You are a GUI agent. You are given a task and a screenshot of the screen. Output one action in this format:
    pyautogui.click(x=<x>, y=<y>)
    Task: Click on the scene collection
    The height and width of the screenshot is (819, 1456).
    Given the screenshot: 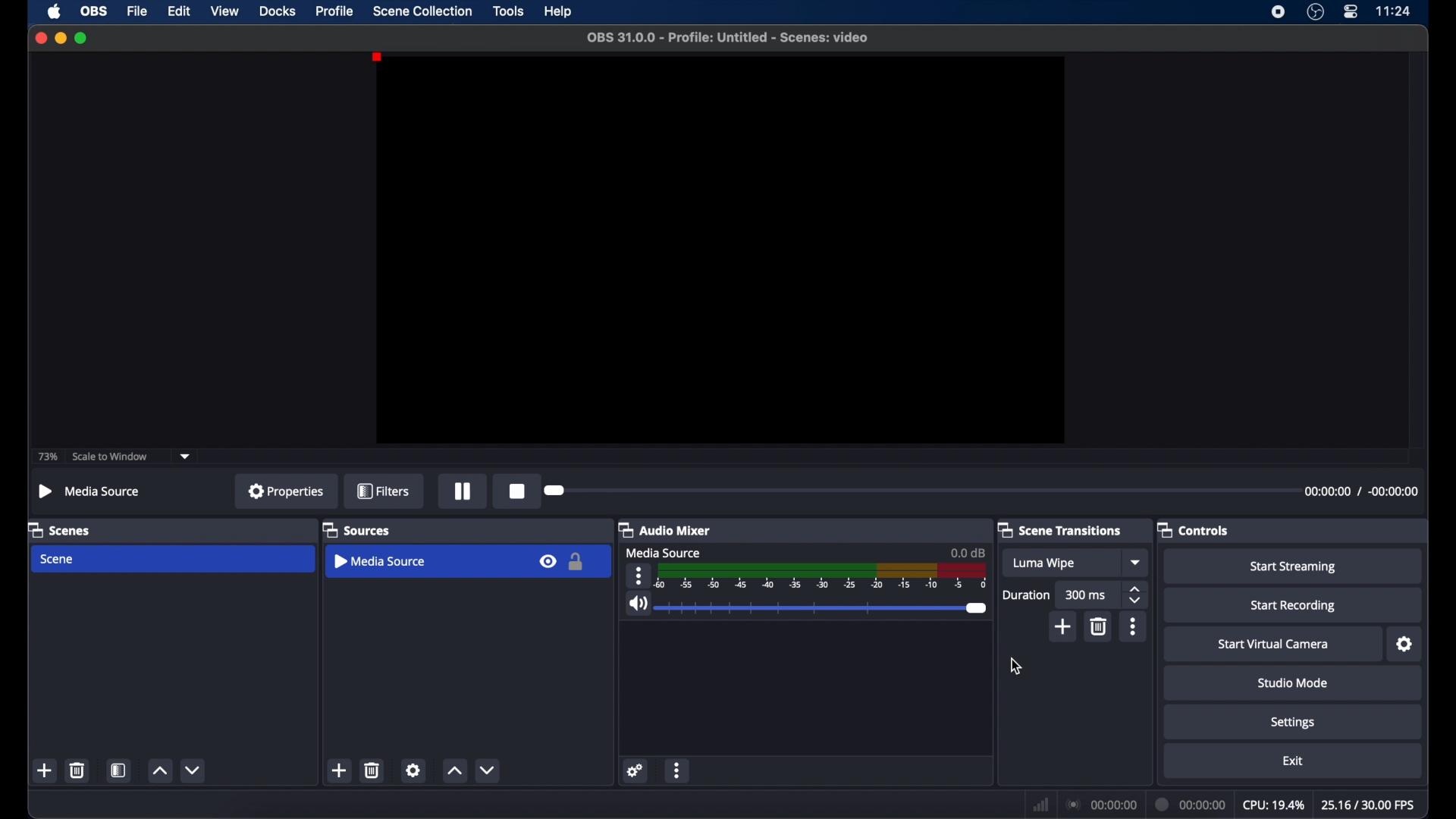 What is the action you would take?
    pyautogui.click(x=422, y=11)
    